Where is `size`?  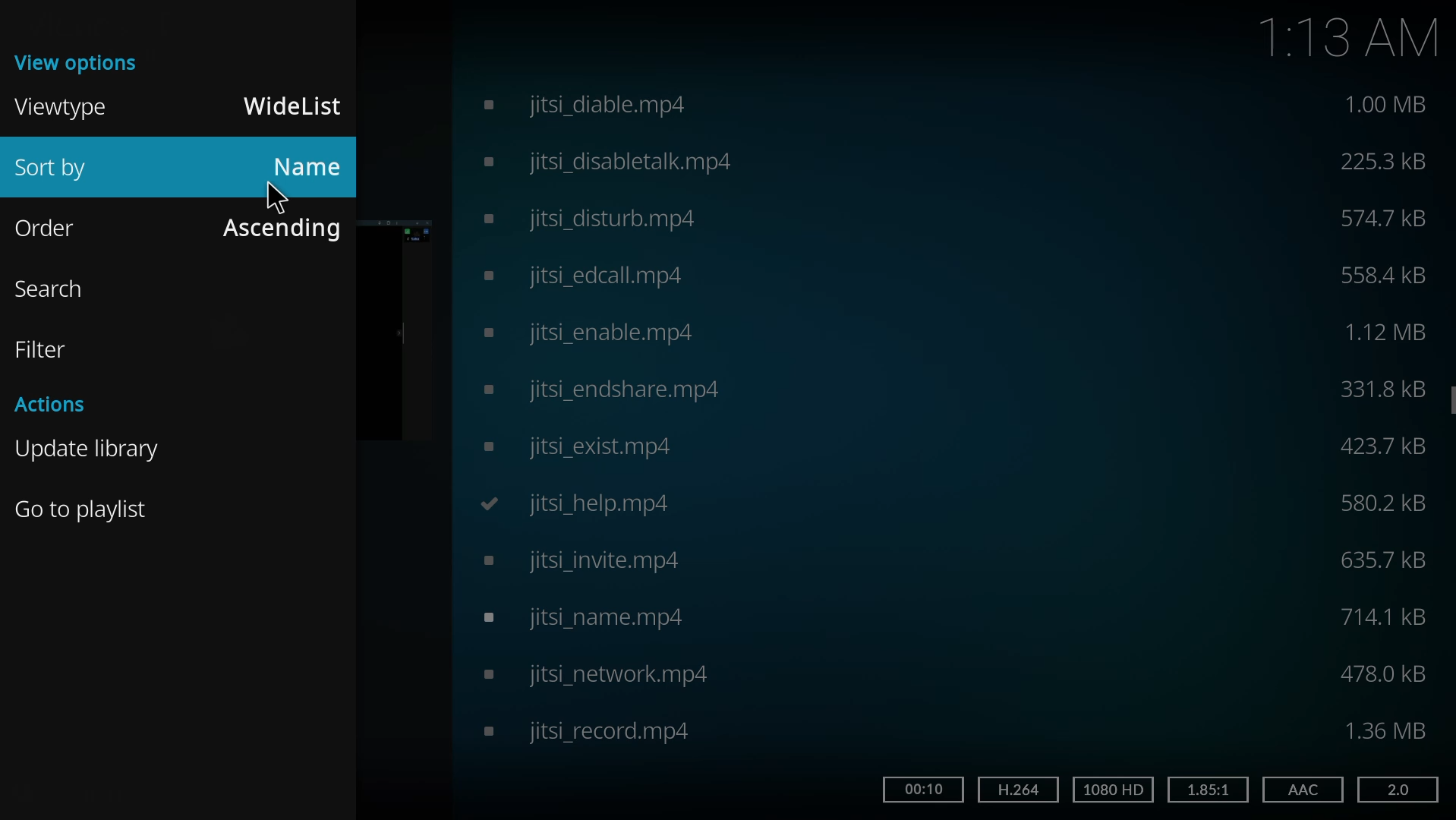 size is located at coordinates (1385, 331).